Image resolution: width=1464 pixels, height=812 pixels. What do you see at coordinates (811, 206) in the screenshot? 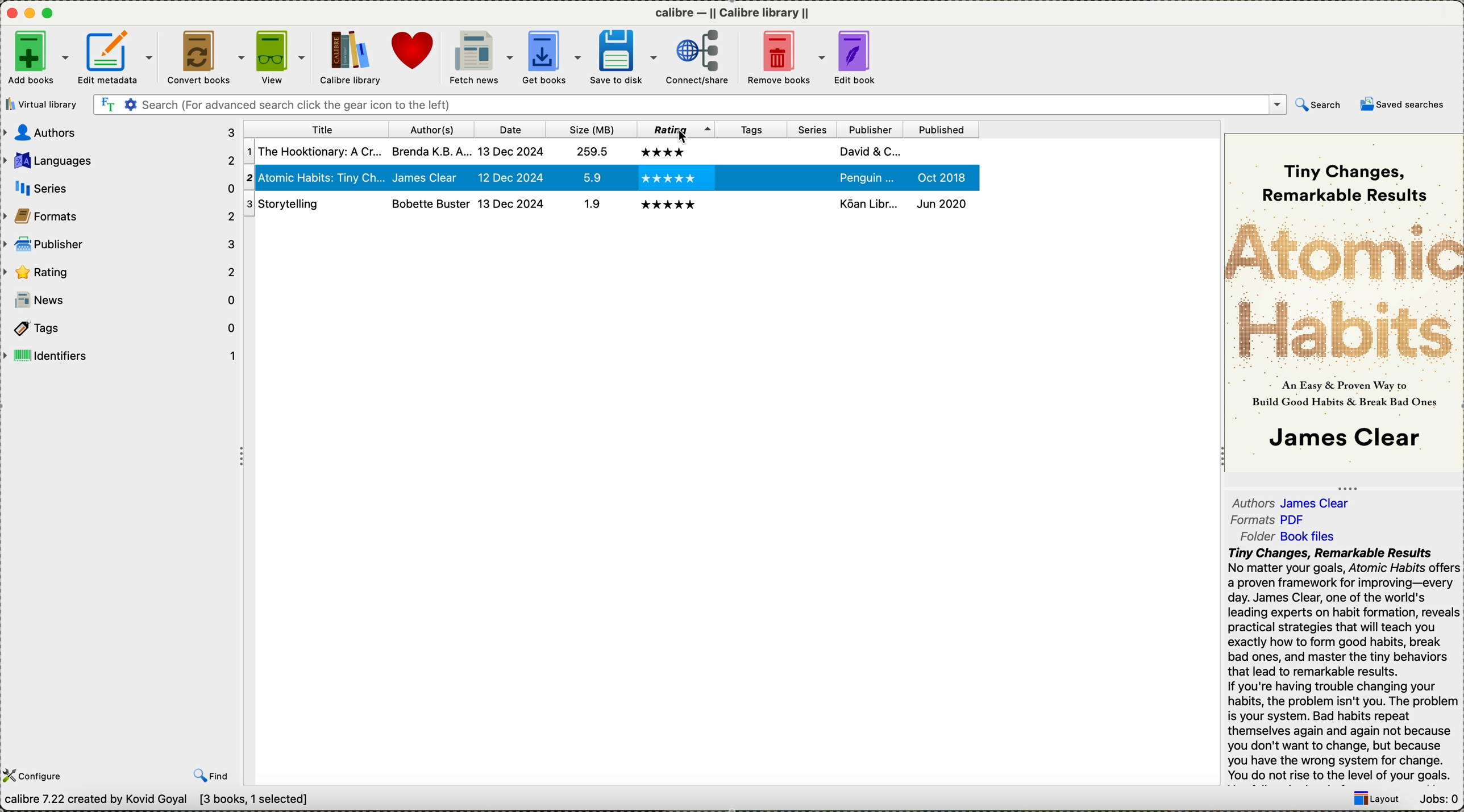
I see `series` at bounding box center [811, 206].